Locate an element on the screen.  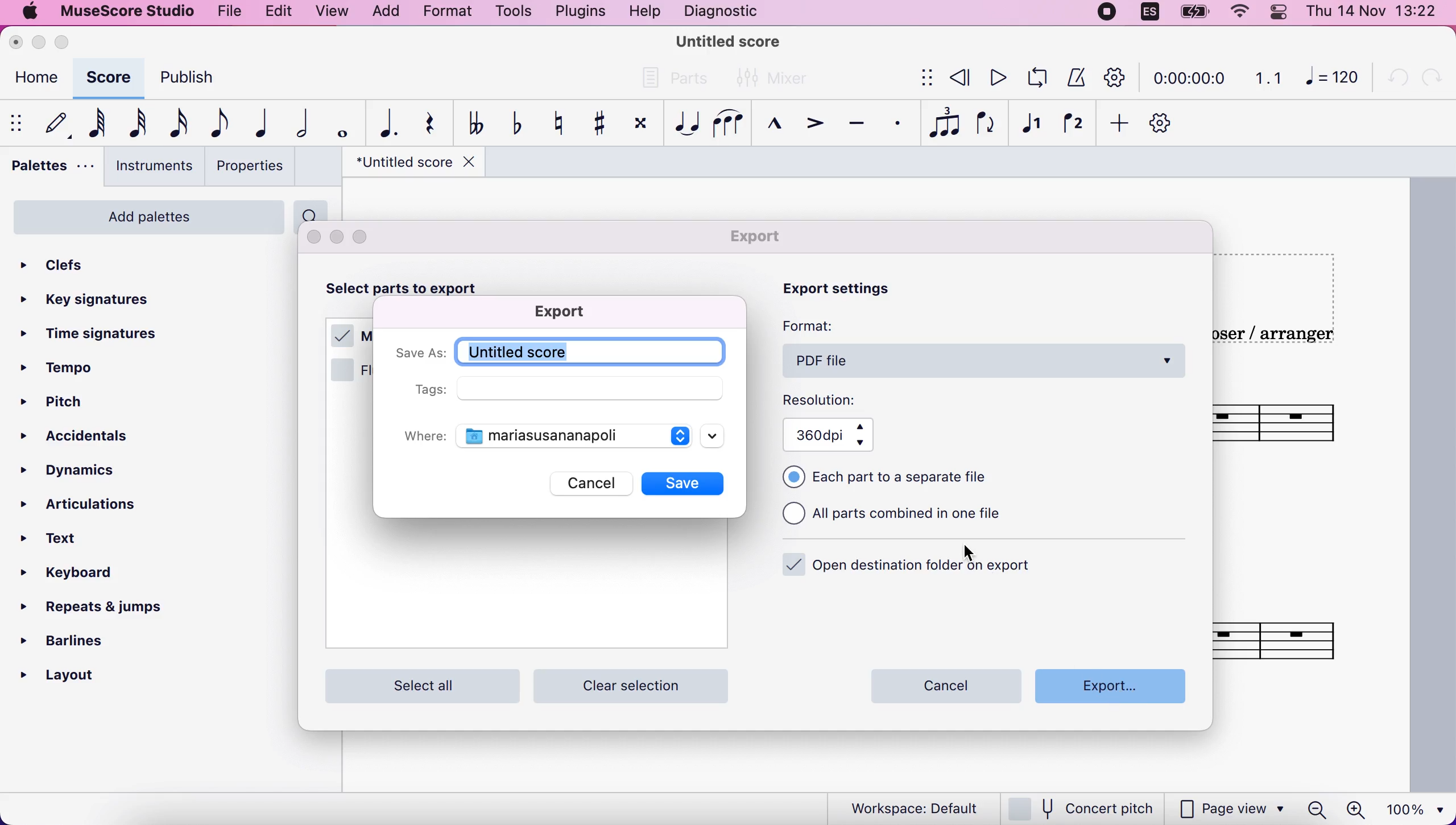
format is located at coordinates (449, 13).